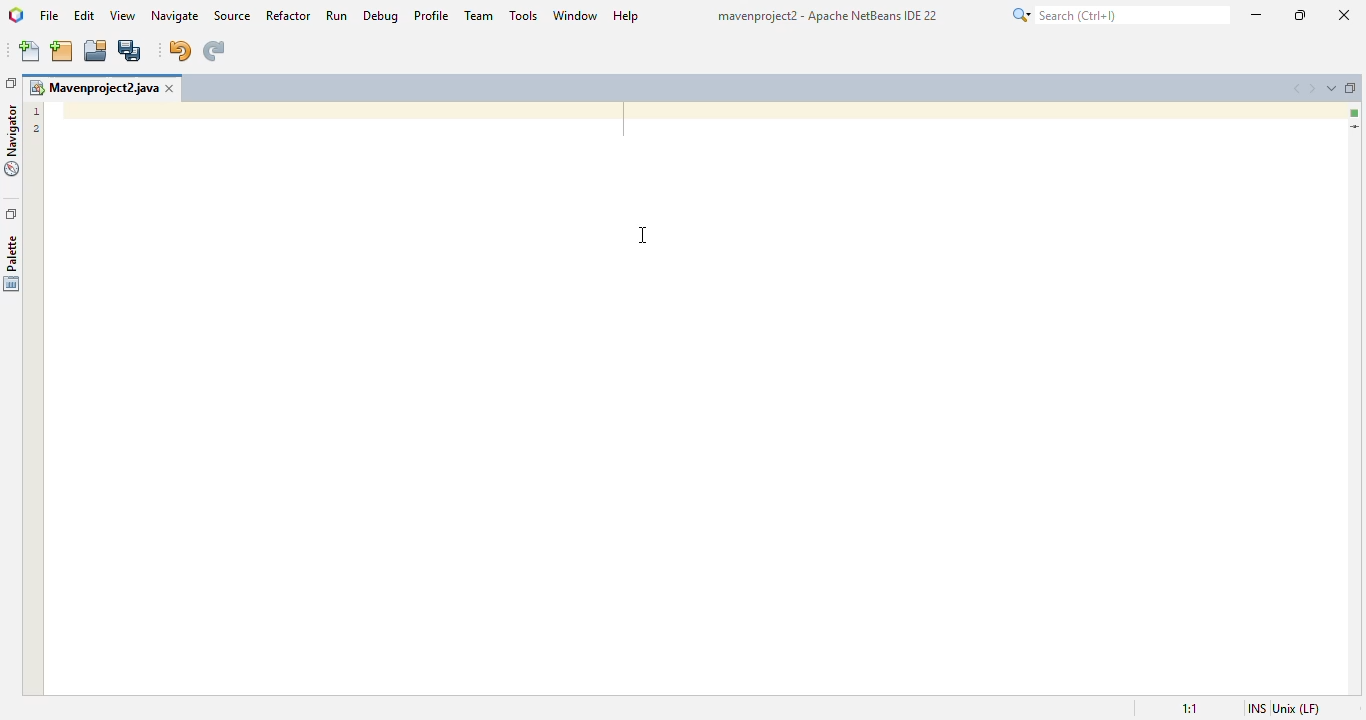  Describe the element at coordinates (1332, 88) in the screenshot. I see `show opened documents list` at that location.